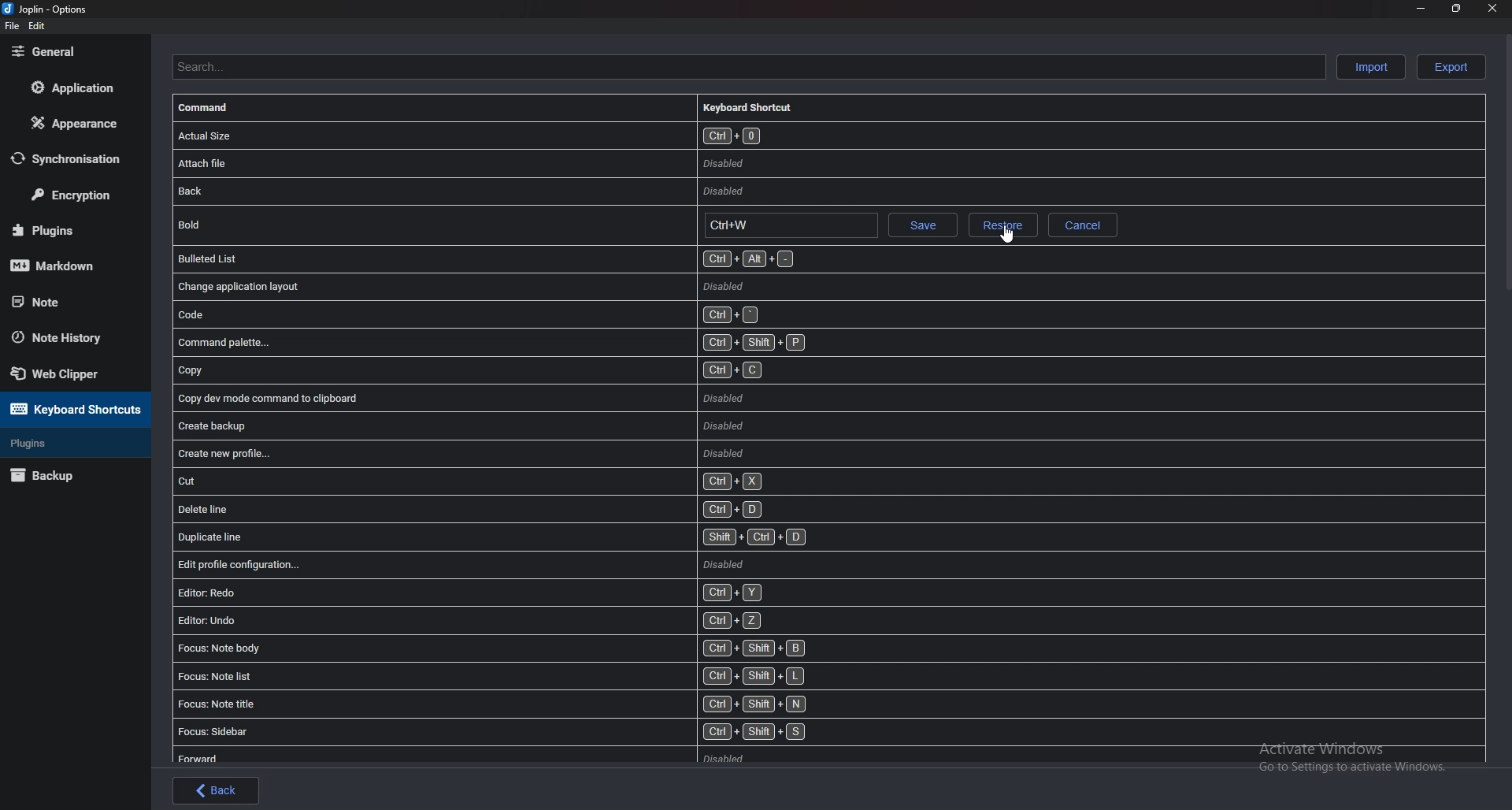  I want to click on Note history, so click(71, 338).